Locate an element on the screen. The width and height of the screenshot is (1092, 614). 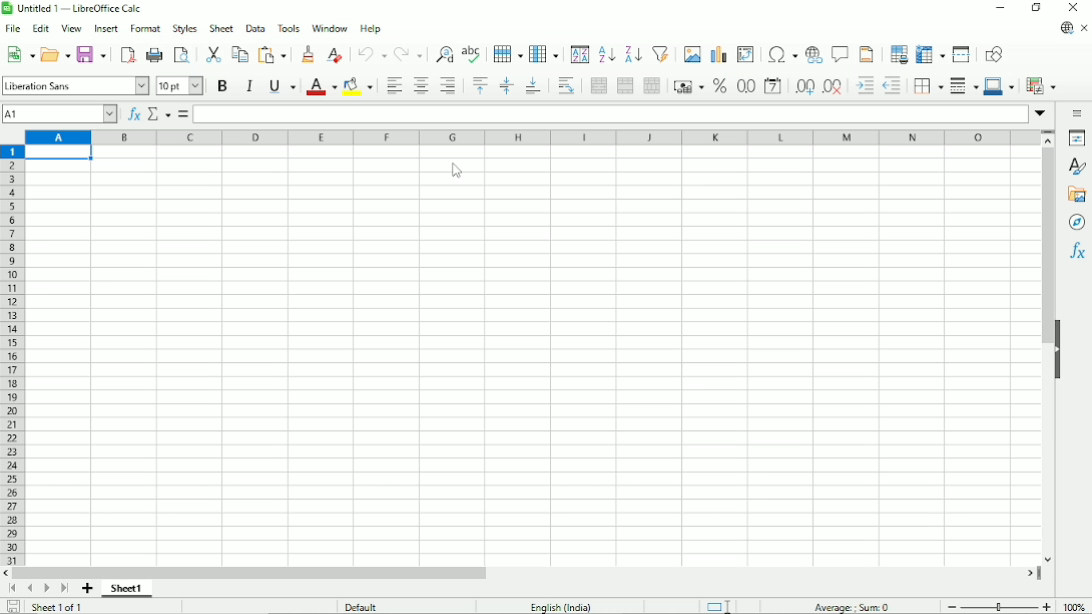
Close is located at coordinates (1075, 7).